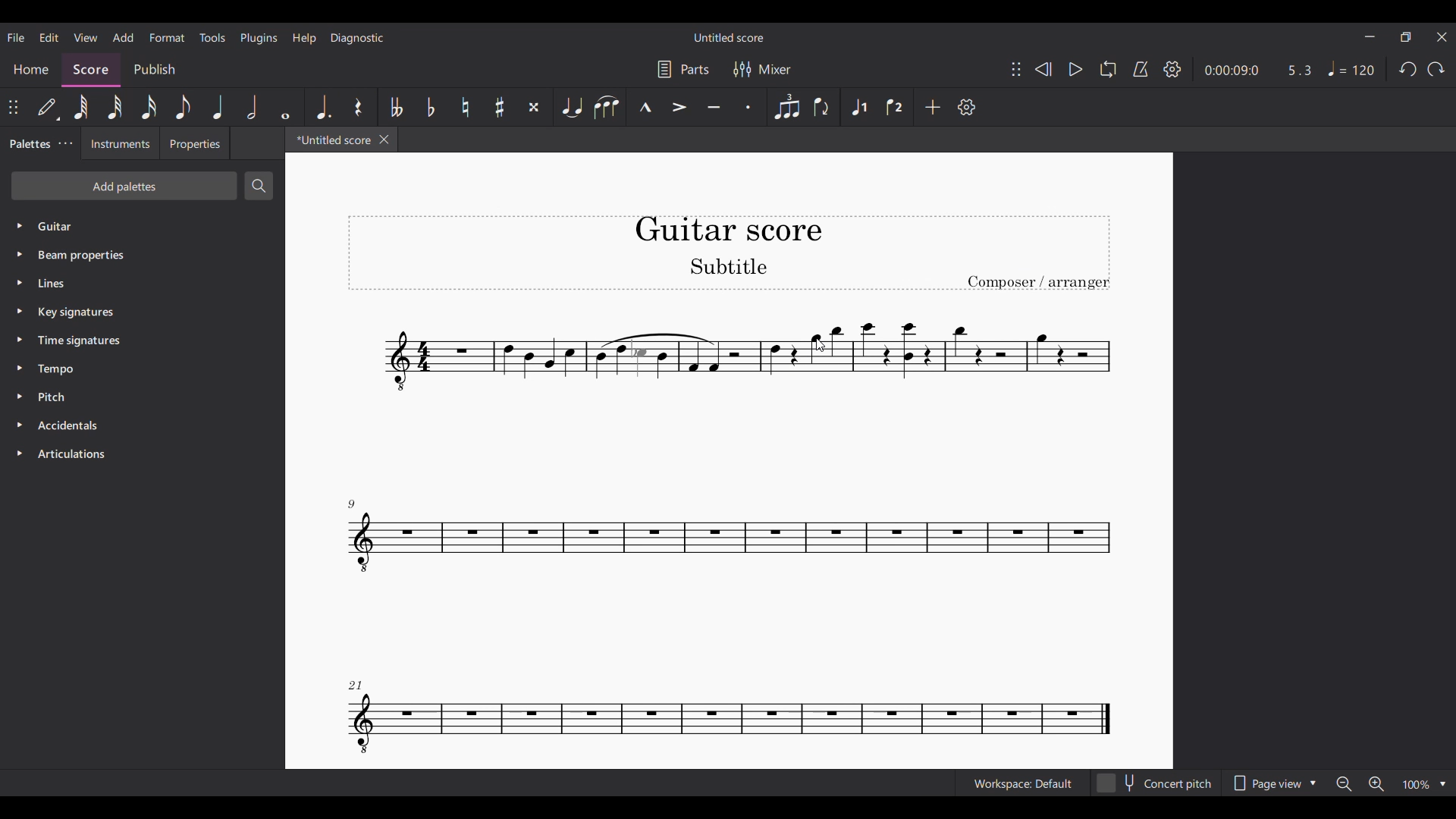  I want to click on Default, so click(49, 108).